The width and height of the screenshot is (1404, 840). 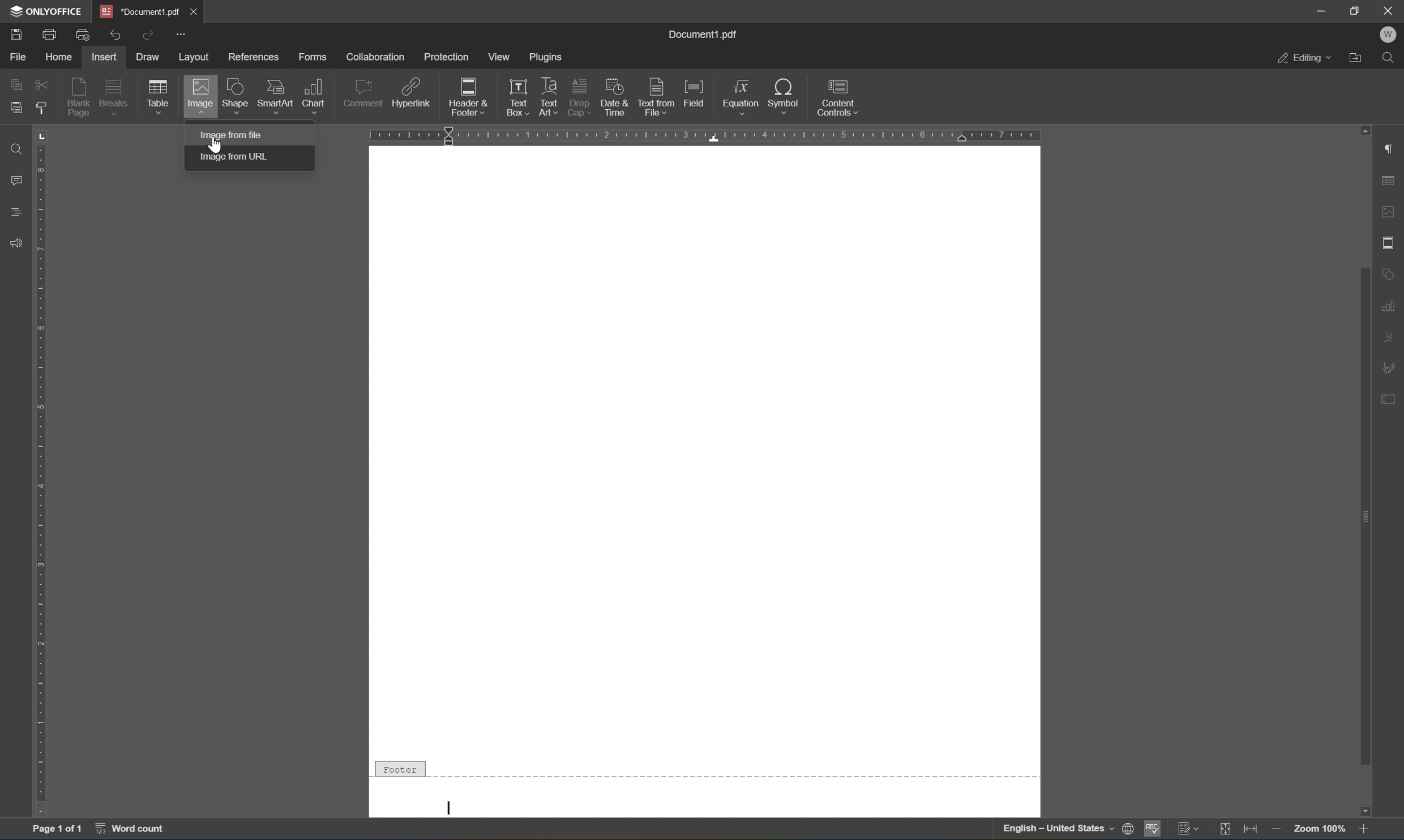 What do you see at coordinates (742, 96) in the screenshot?
I see `equation` at bounding box center [742, 96].